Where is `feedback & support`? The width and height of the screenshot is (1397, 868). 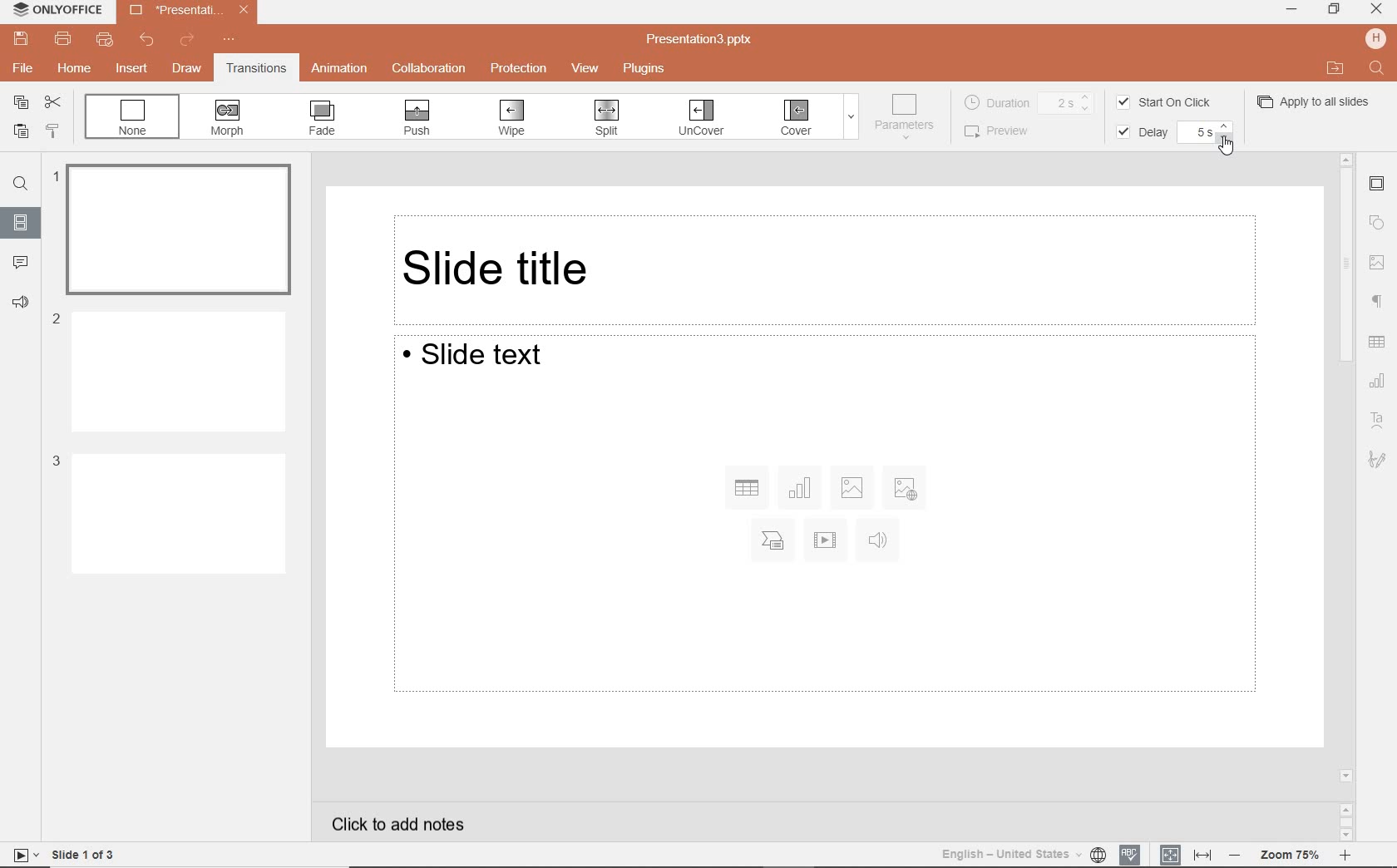
feedback & support is located at coordinates (23, 306).